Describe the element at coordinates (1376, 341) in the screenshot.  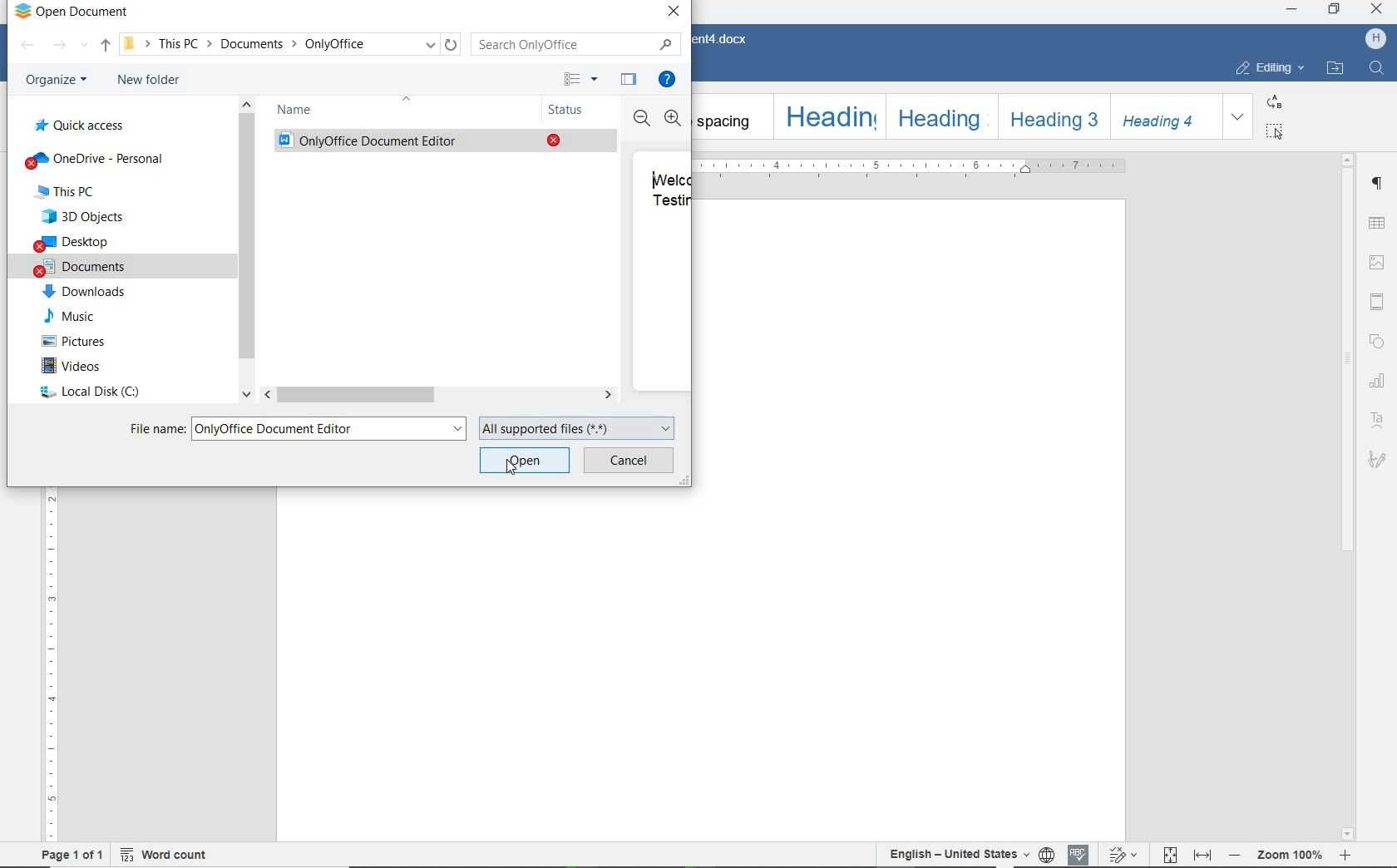
I see `shape` at that location.